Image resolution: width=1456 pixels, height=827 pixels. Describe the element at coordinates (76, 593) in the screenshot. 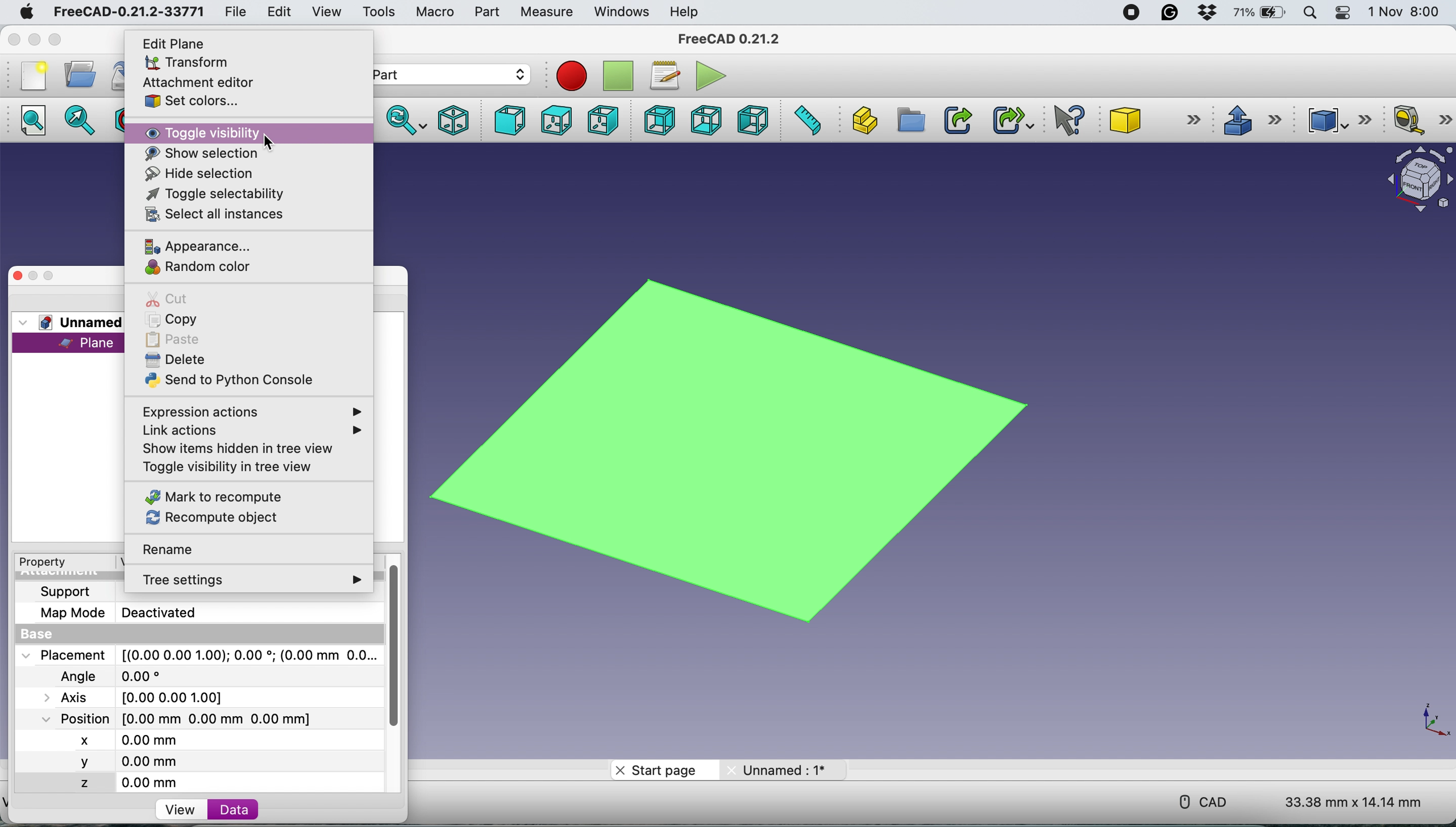

I see `support` at that location.